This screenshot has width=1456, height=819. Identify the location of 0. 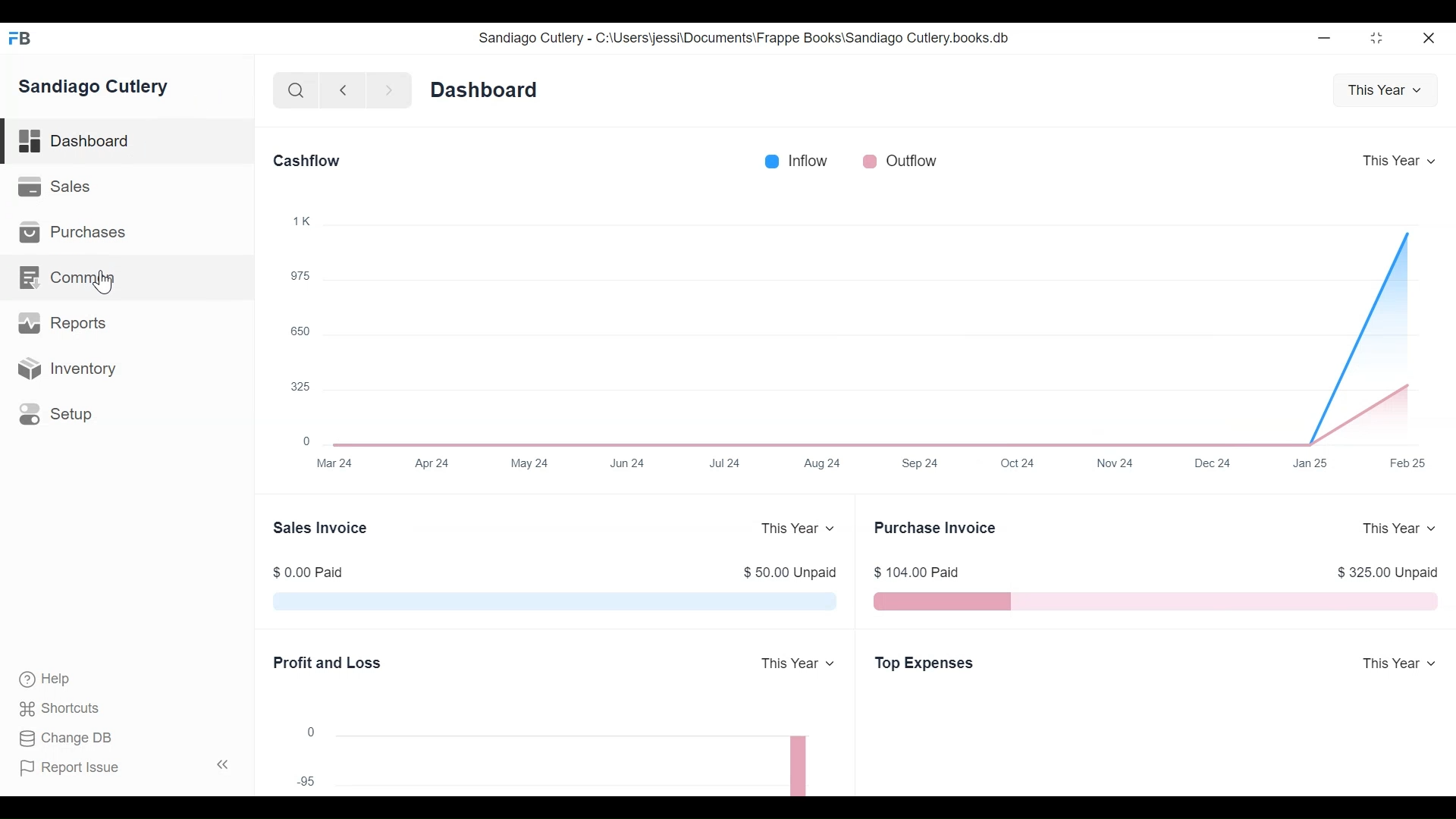
(306, 441).